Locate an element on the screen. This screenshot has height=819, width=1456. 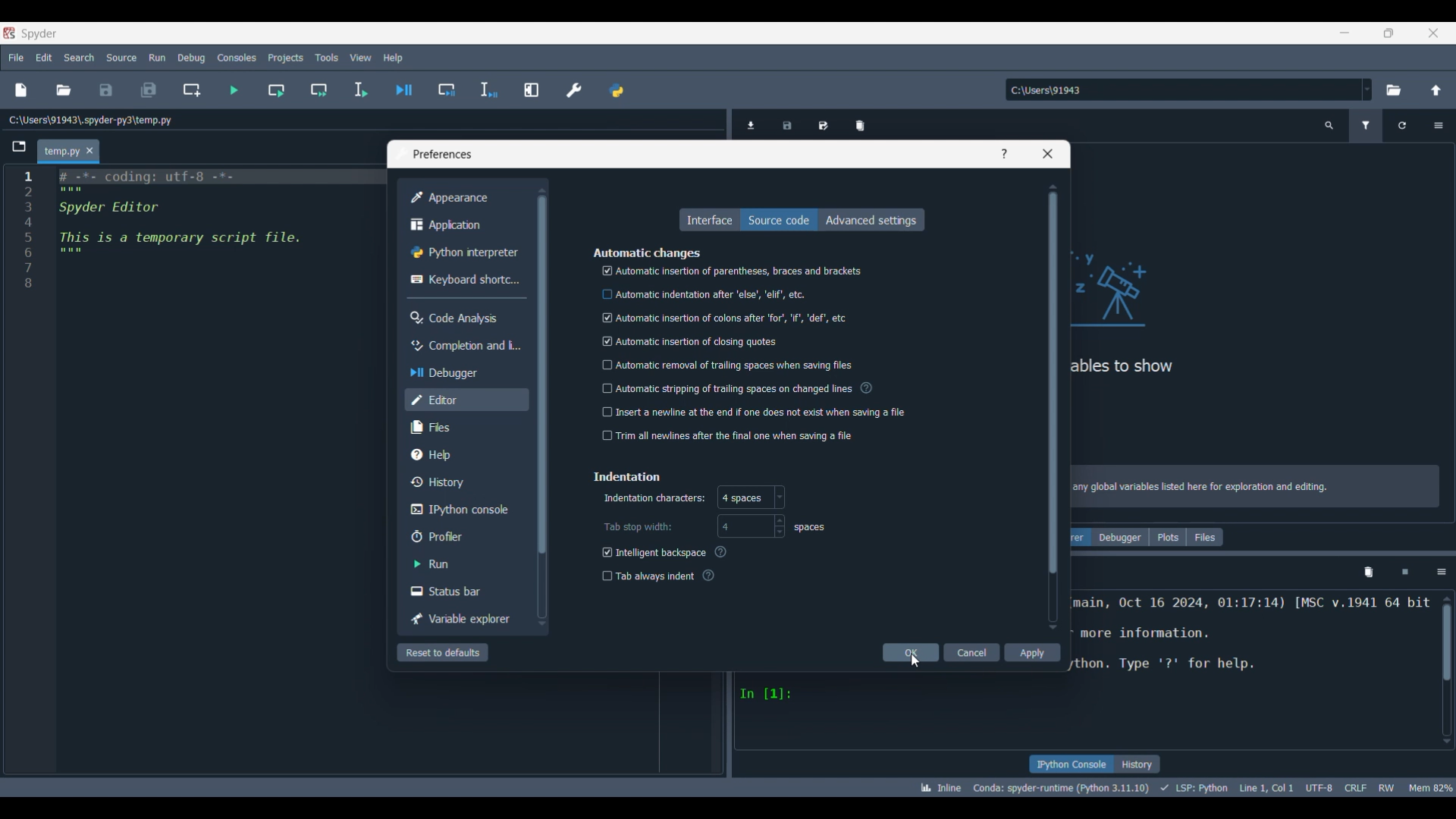
Code analysis is located at coordinates (466, 317).